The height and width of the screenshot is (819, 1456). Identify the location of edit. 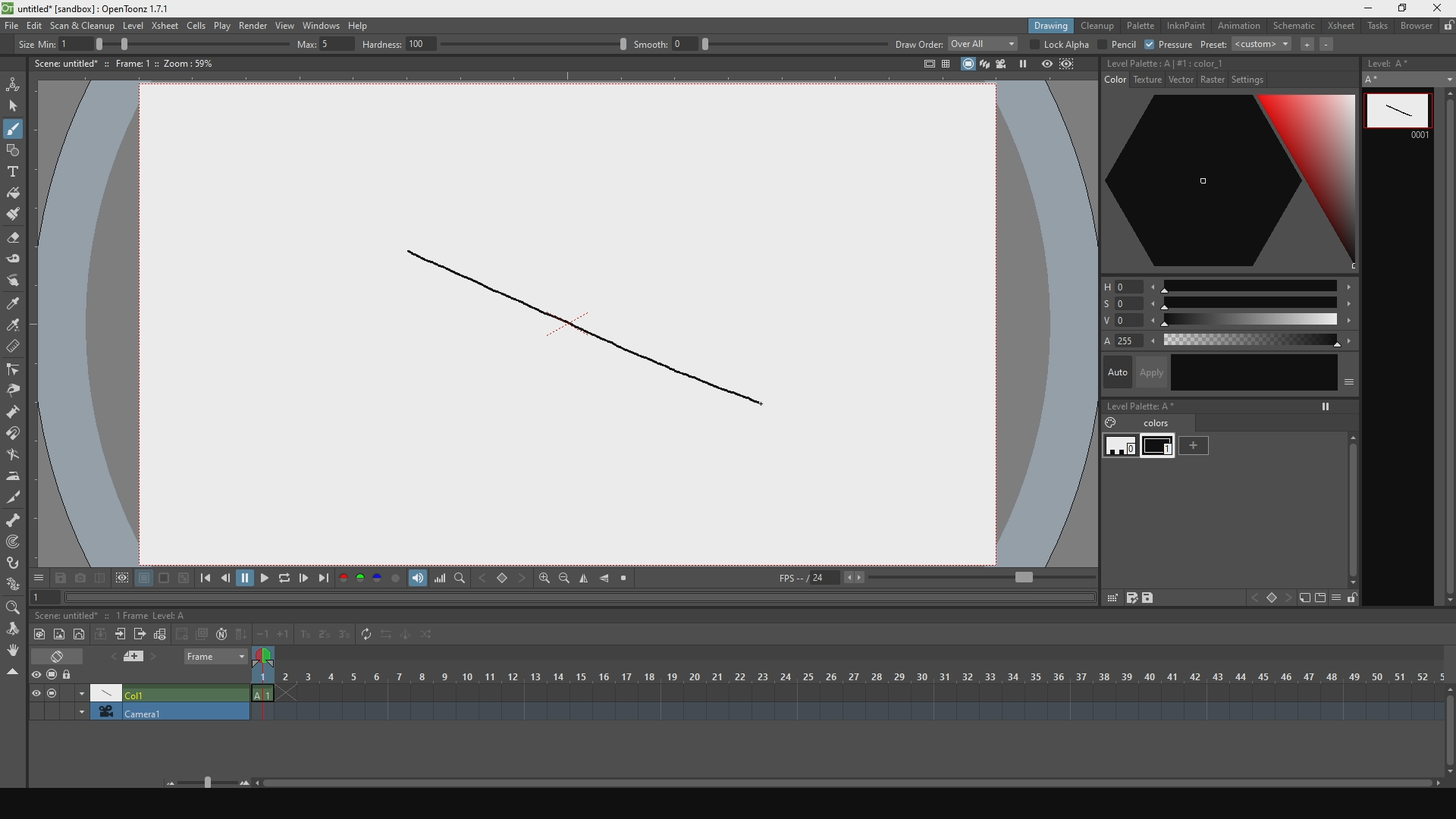
(33, 24).